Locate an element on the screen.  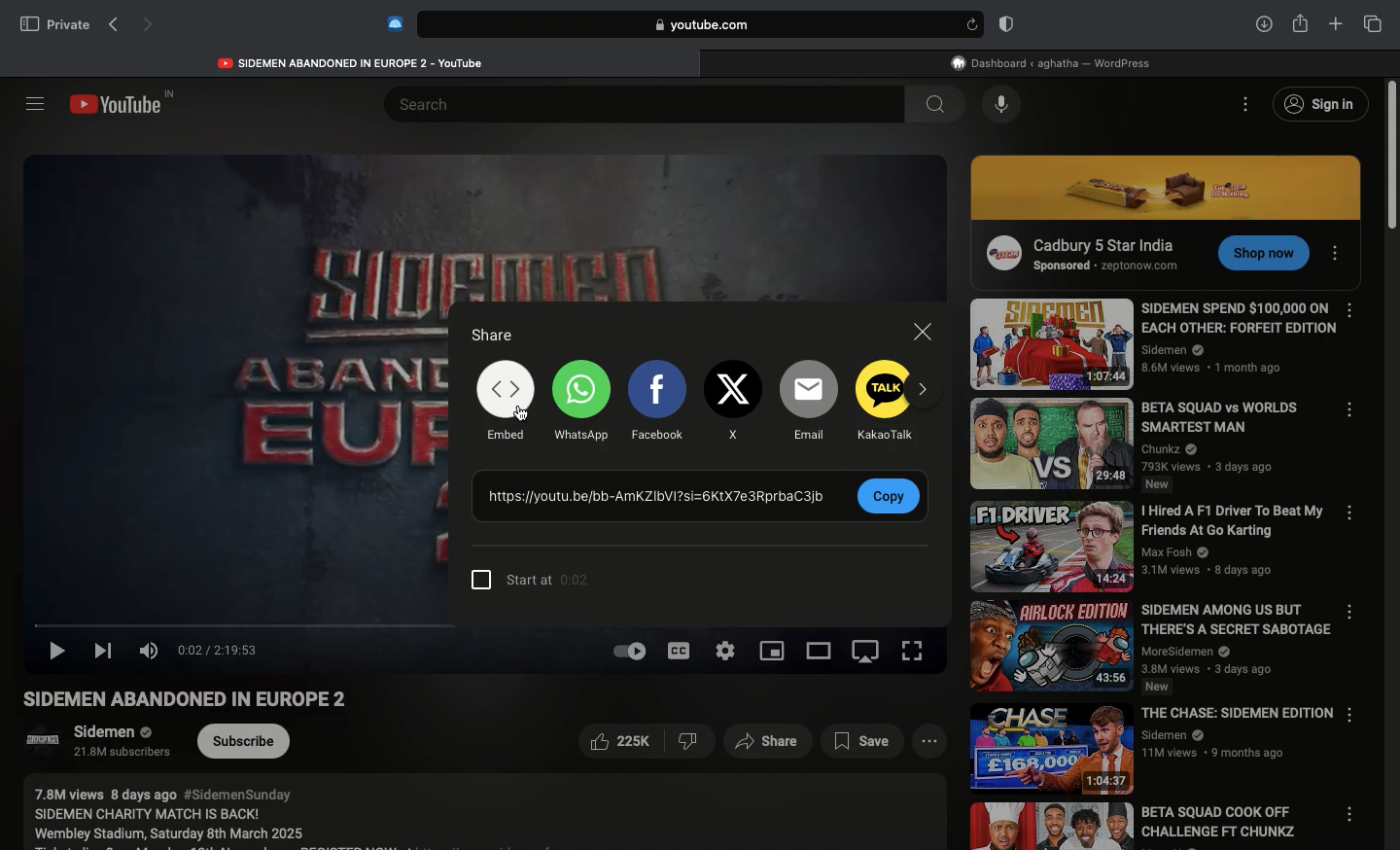
search is located at coordinates (933, 104).